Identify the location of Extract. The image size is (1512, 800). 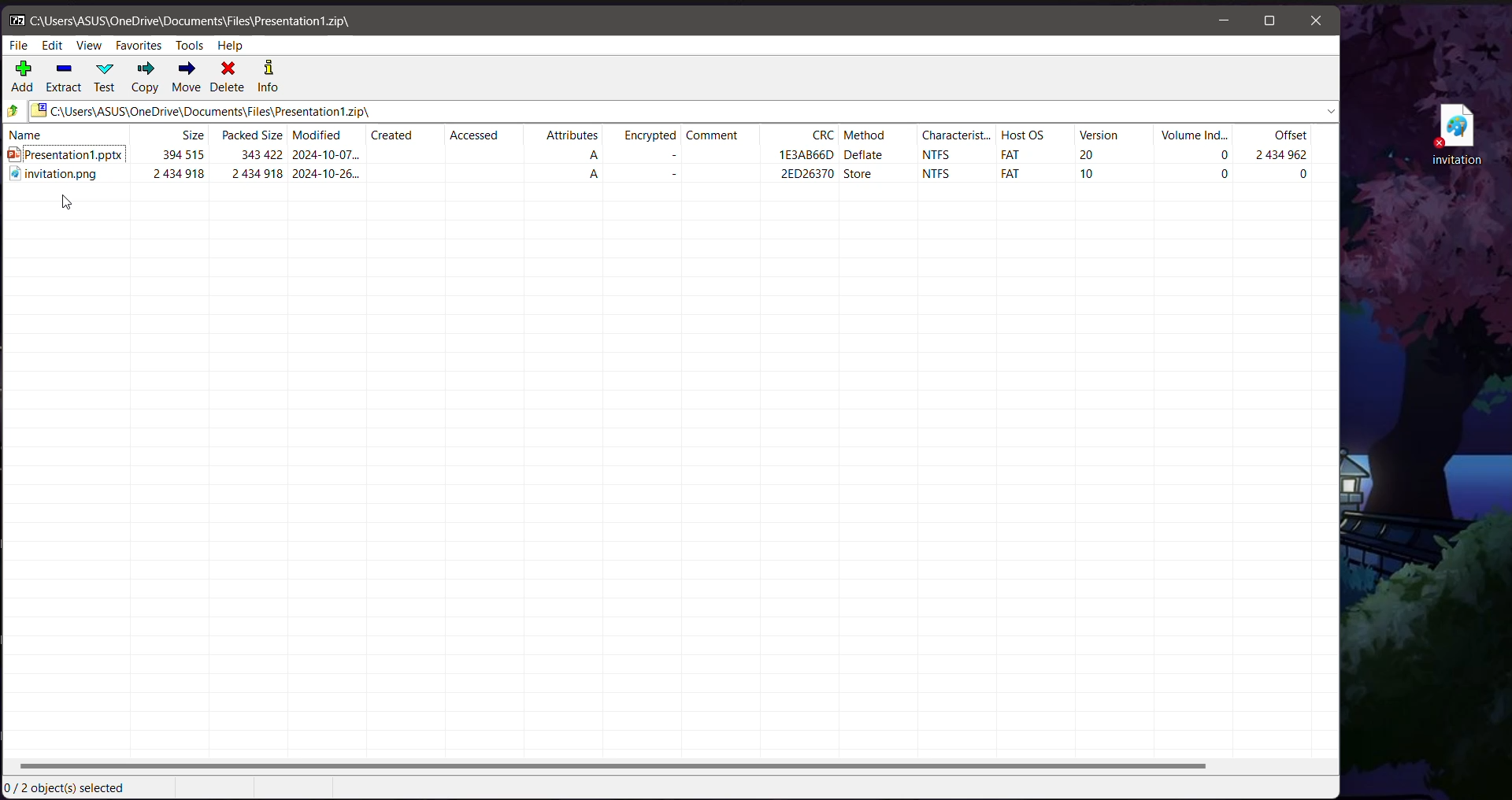
(64, 78).